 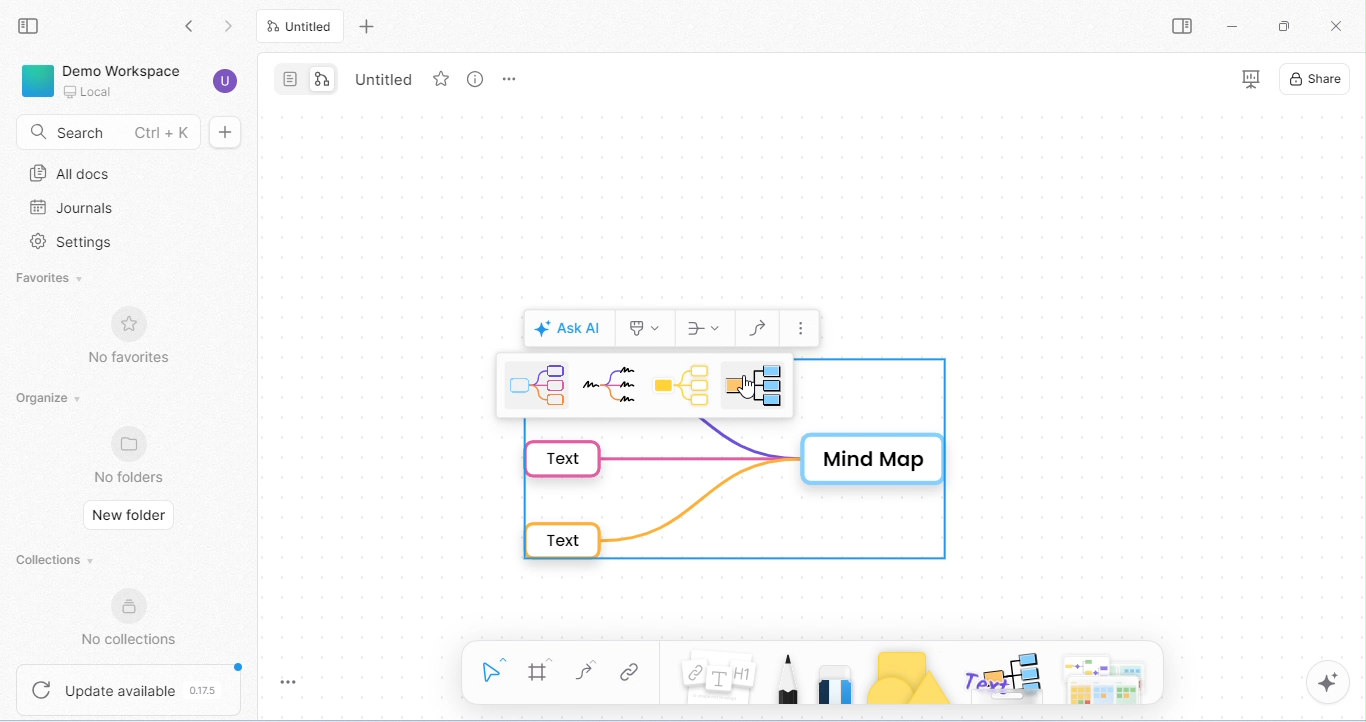 What do you see at coordinates (288, 685) in the screenshot?
I see `toggle zoom` at bounding box center [288, 685].